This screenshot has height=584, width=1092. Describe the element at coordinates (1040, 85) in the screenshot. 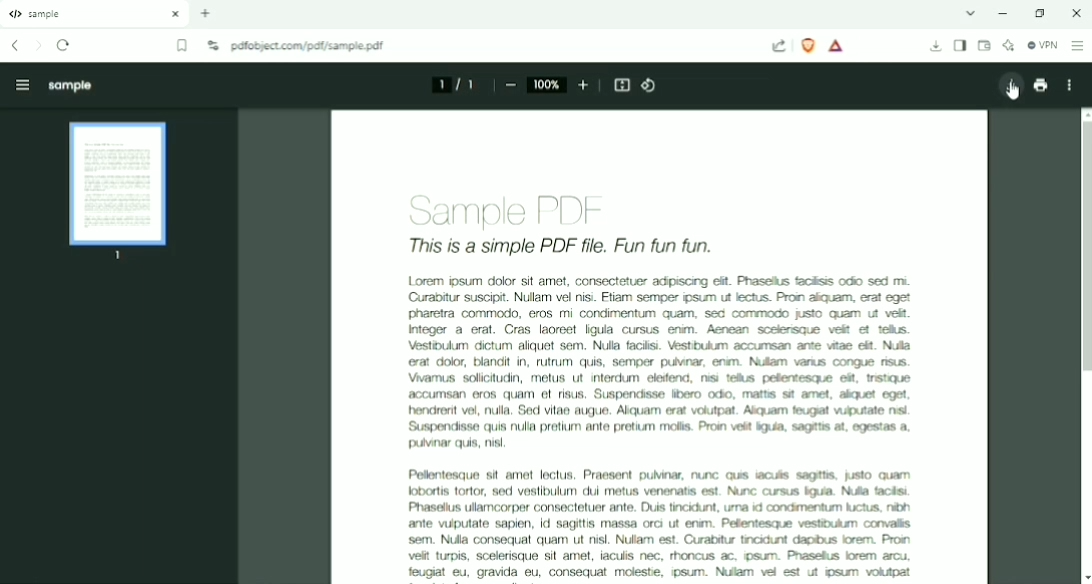

I see `Print` at that location.